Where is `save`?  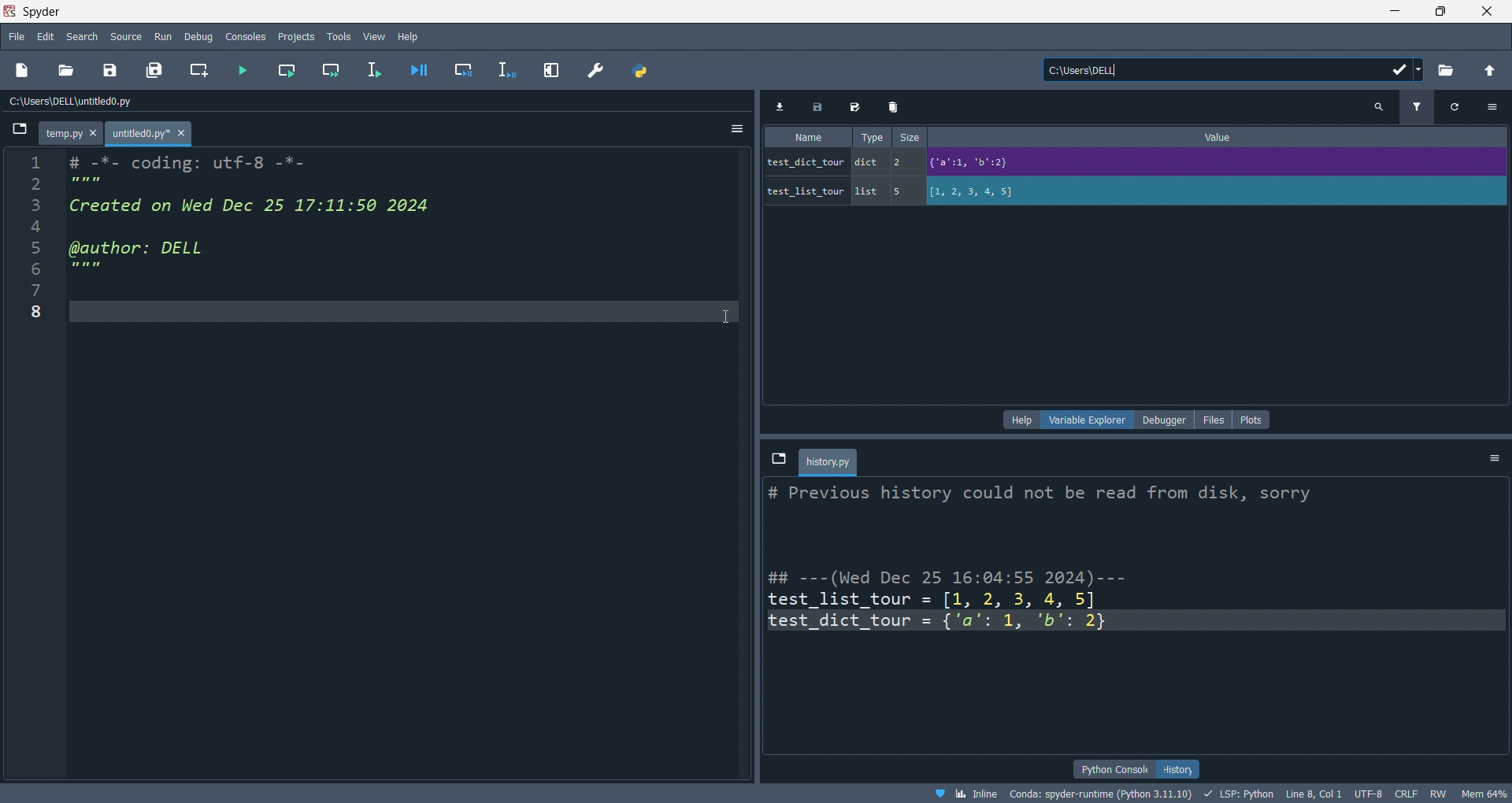
save is located at coordinates (821, 107).